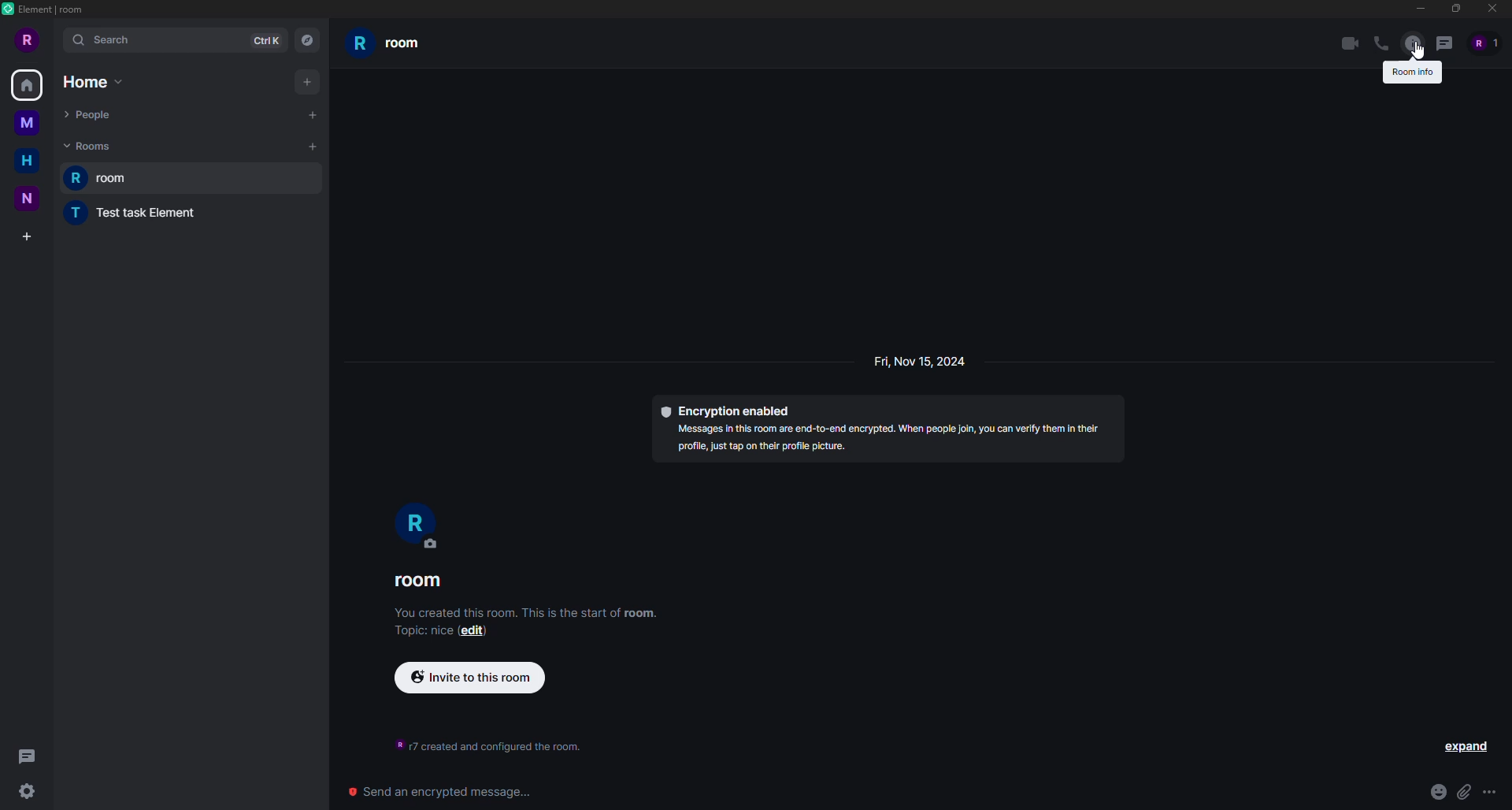  What do you see at coordinates (1463, 750) in the screenshot?
I see `expand` at bounding box center [1463, 750].